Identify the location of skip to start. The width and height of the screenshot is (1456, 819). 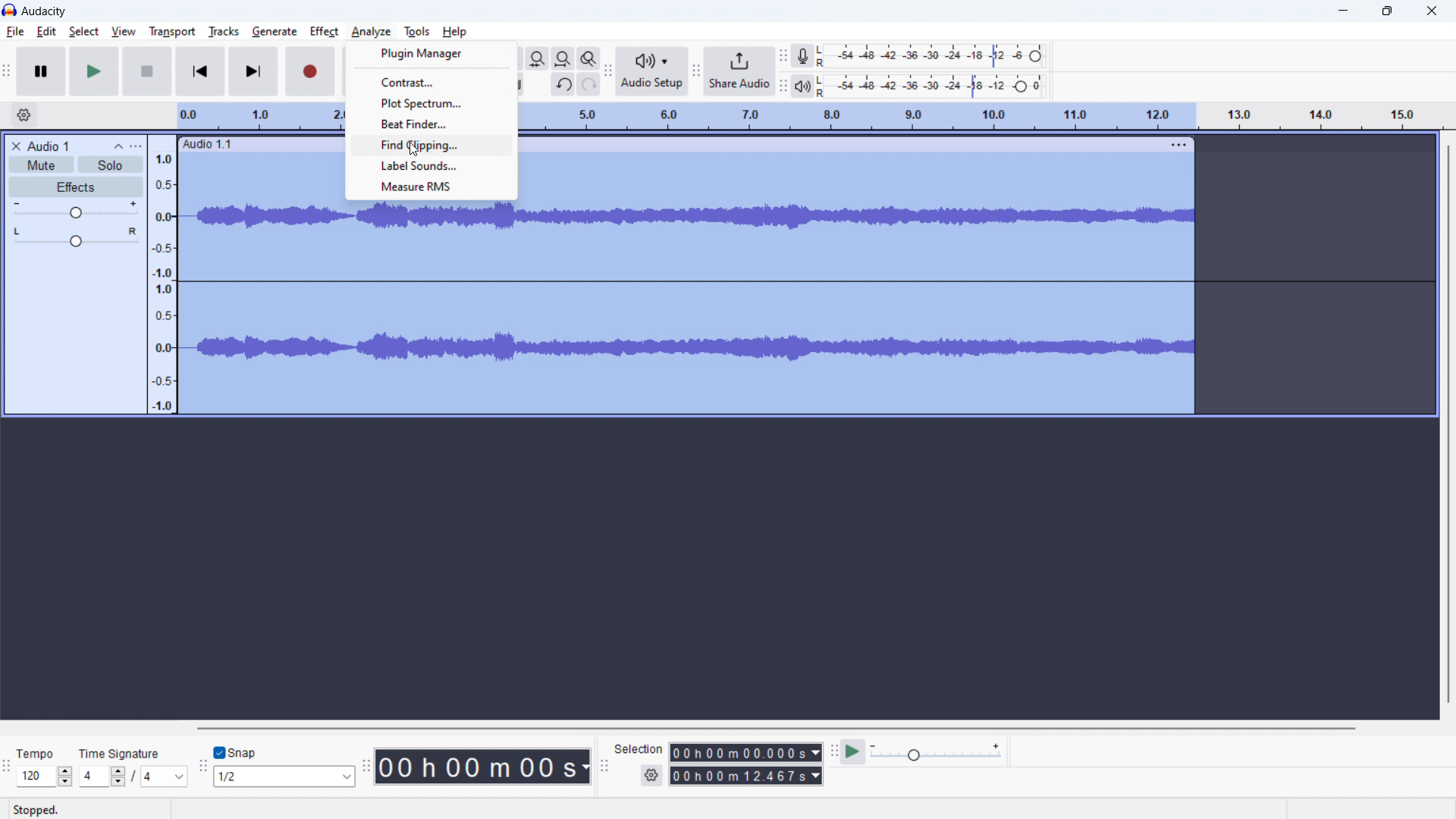
(200, 71).